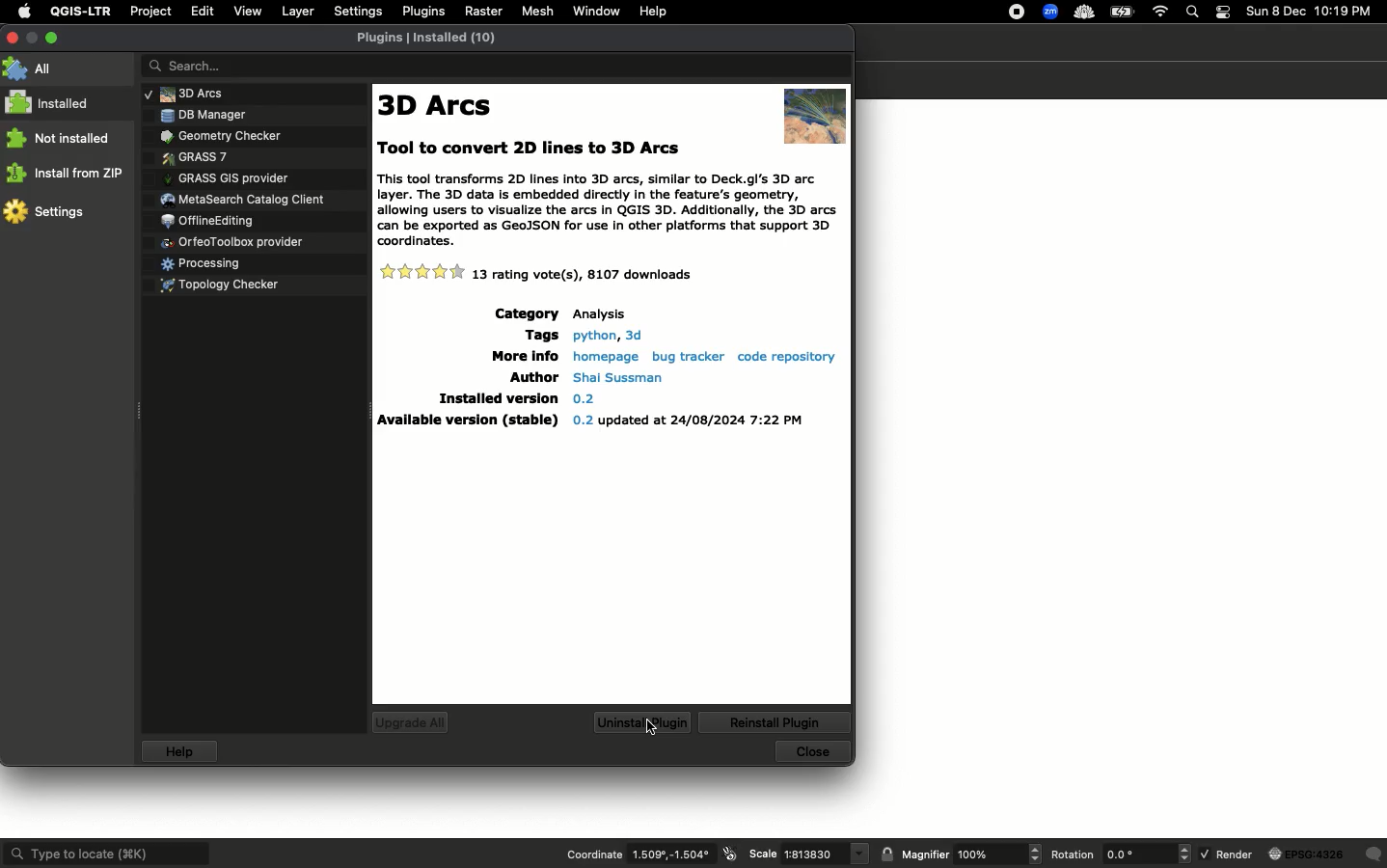  What do you see at coordinates (53, 37) in the screenshot?
I see `Maximize` at bounding box center [53, 37].